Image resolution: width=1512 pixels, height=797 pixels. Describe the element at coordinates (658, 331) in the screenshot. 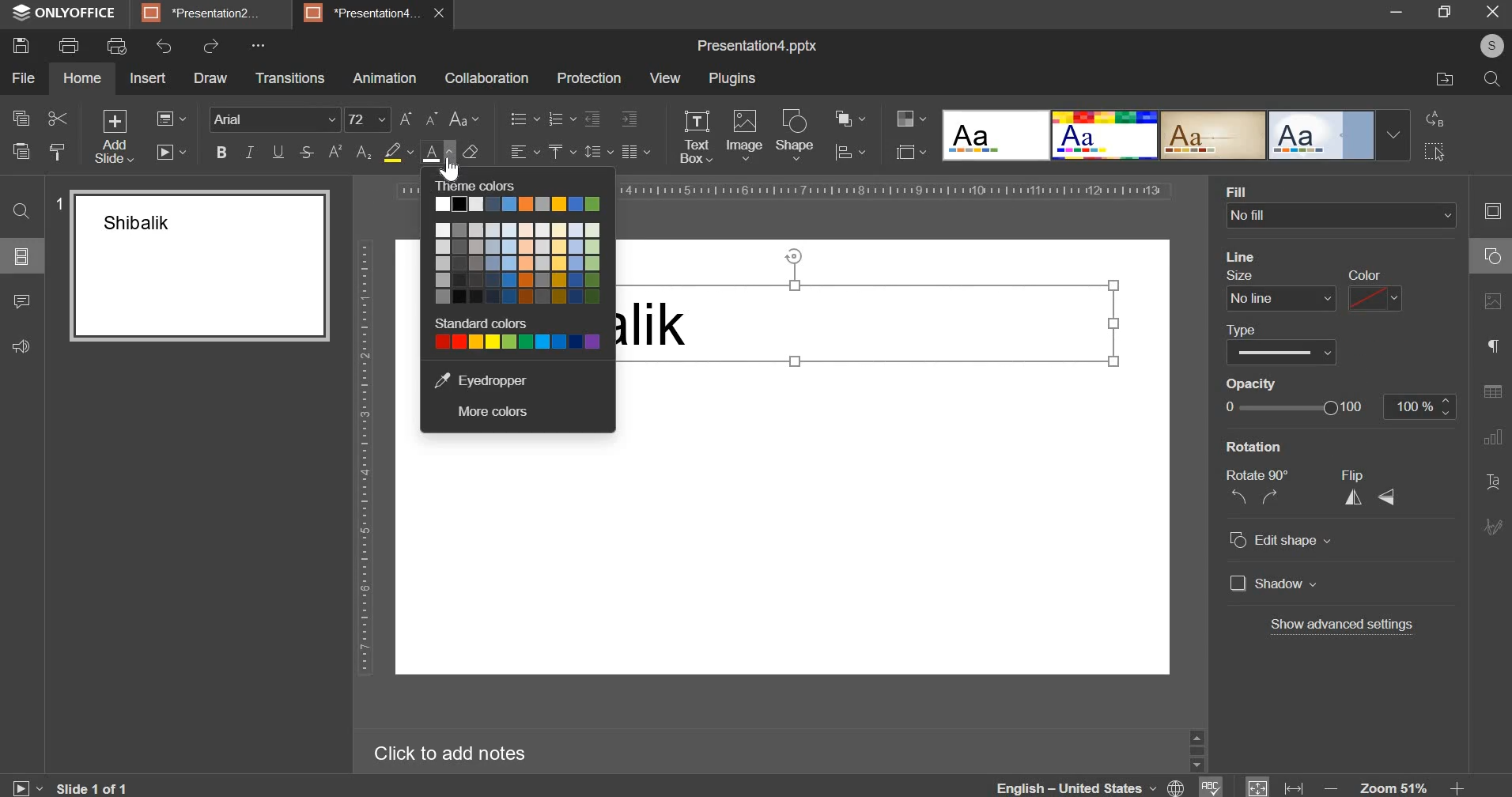

I see `shibalik` at that location.